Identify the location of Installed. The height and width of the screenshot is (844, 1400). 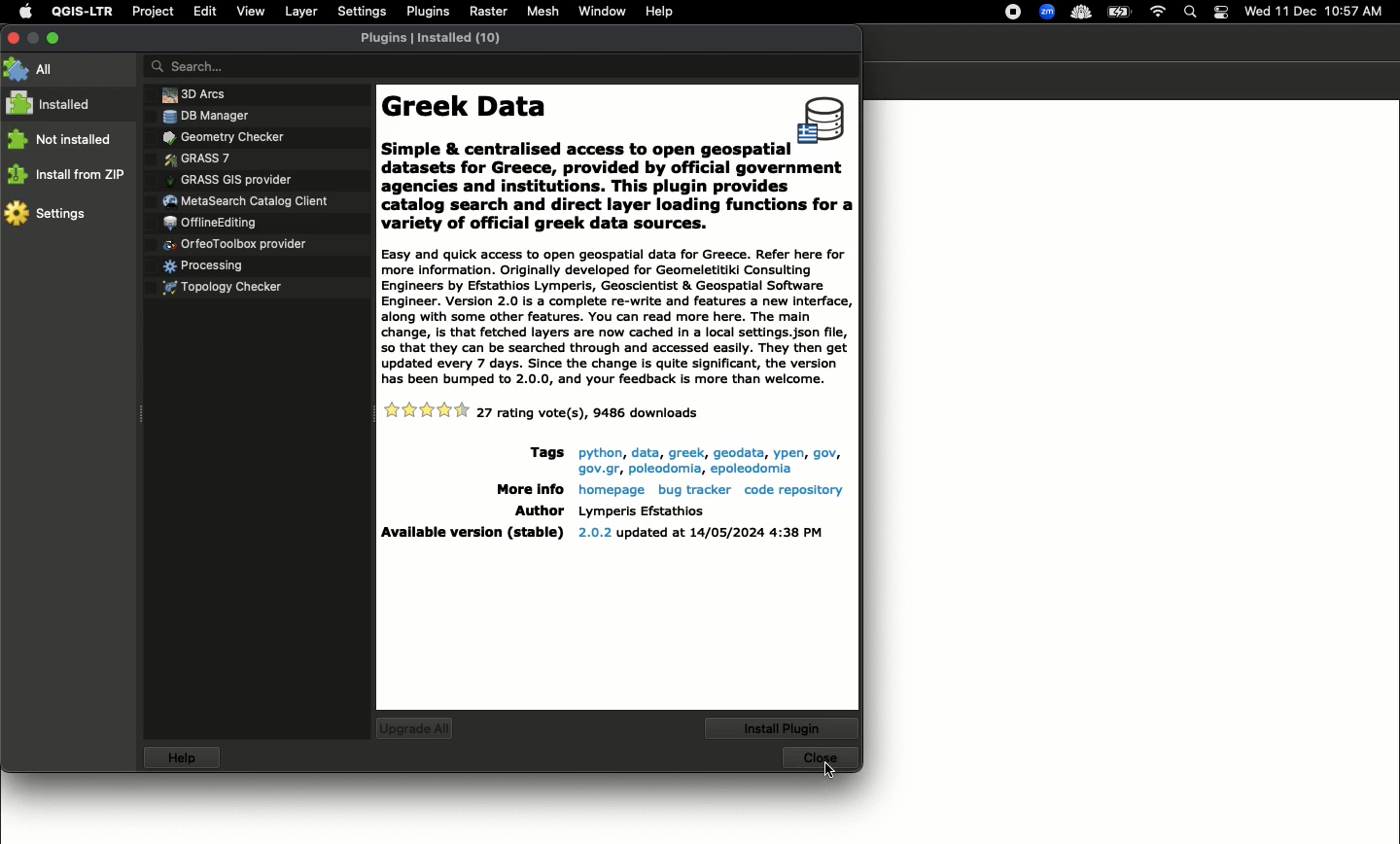
(56, 103).